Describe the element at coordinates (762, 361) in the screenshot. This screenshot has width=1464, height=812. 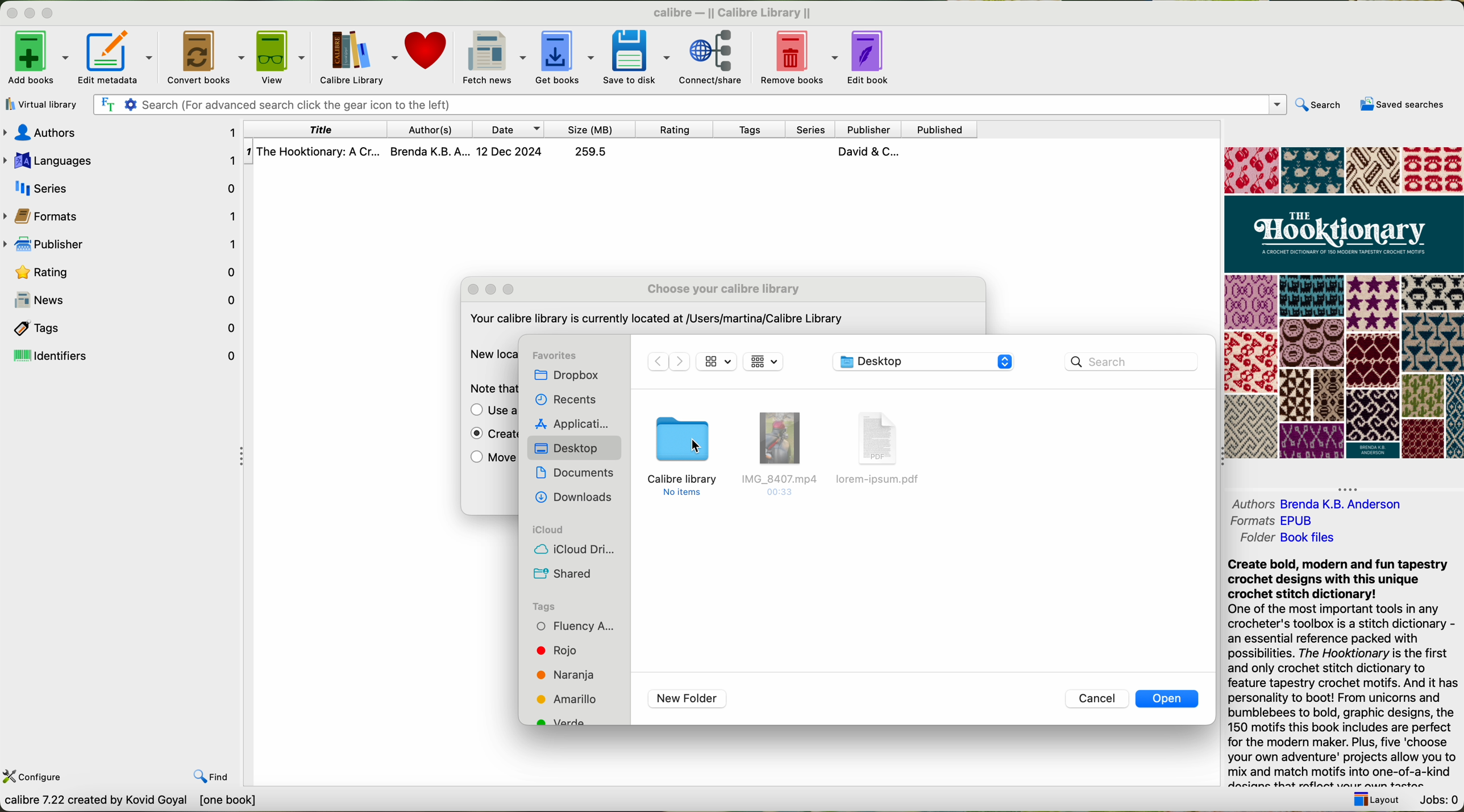
I see `icon` at that location.